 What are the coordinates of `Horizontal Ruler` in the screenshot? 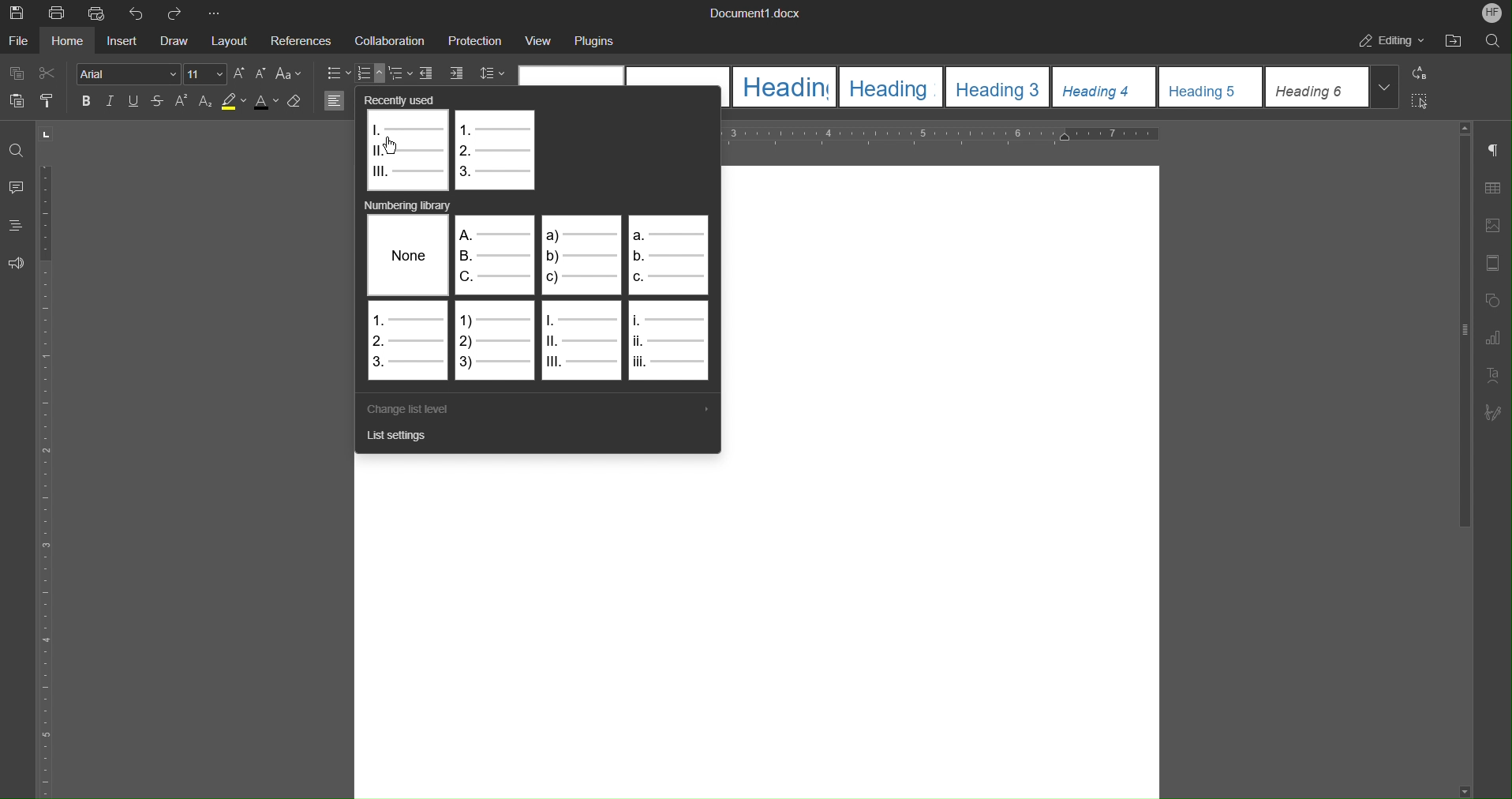 It's located at (949, 135).